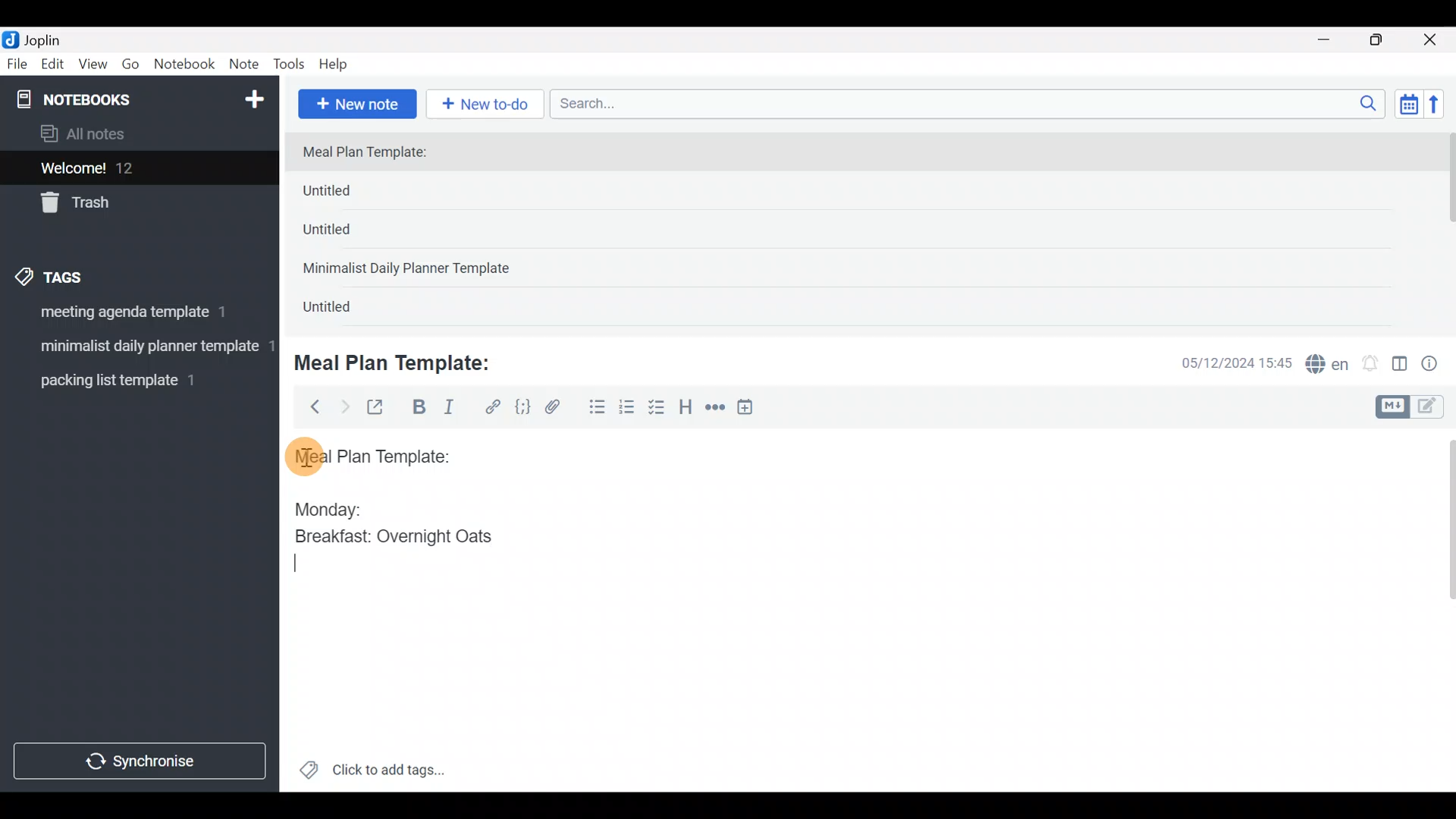 This screenshot has width=1456, height=819. I want to click on Text editor, so click(846, 693).